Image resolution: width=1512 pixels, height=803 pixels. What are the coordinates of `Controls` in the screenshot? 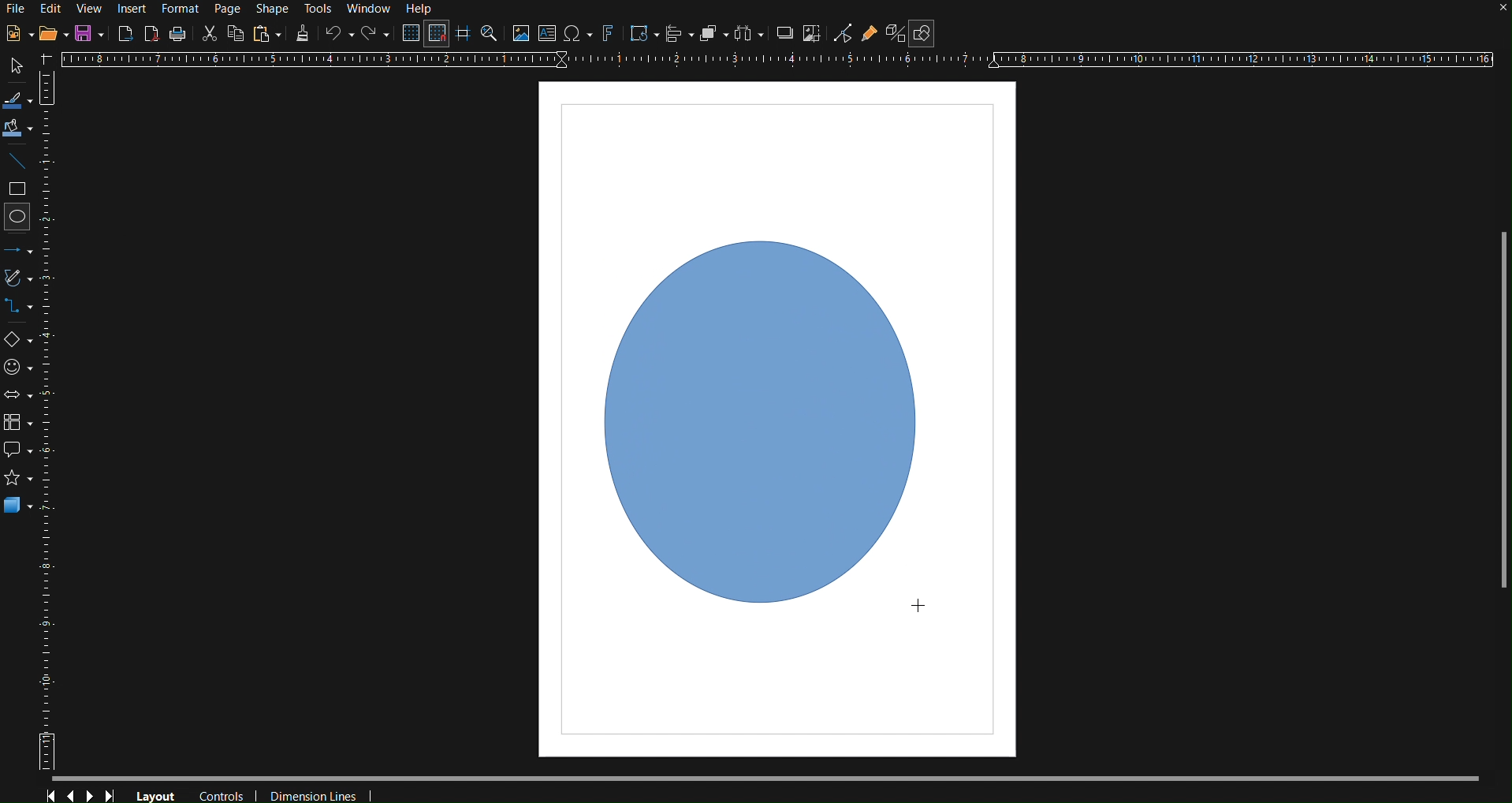 It's located at (225, 794).